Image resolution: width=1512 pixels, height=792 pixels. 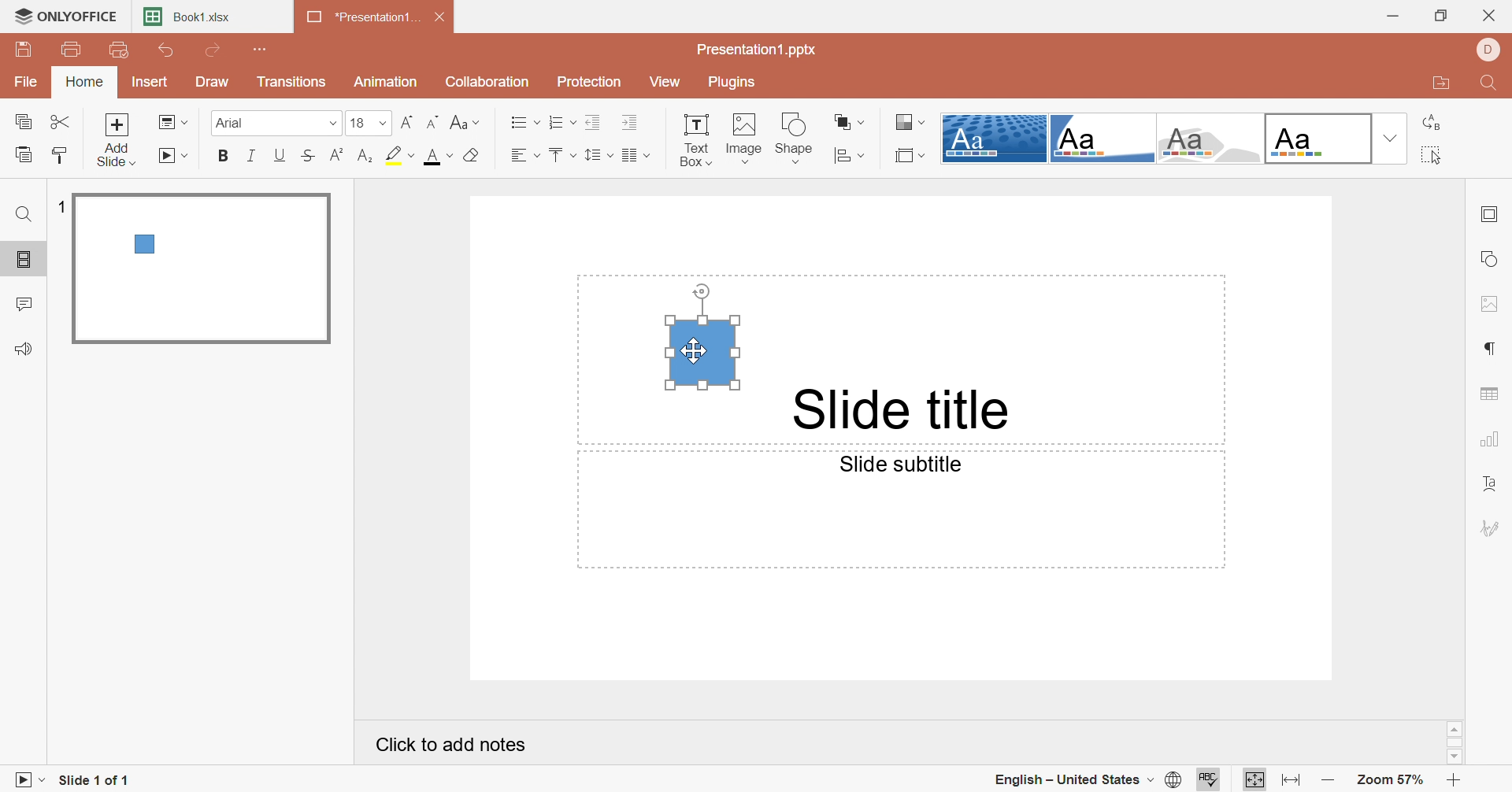 I want to click on Underline, so click(x=280, y=157).